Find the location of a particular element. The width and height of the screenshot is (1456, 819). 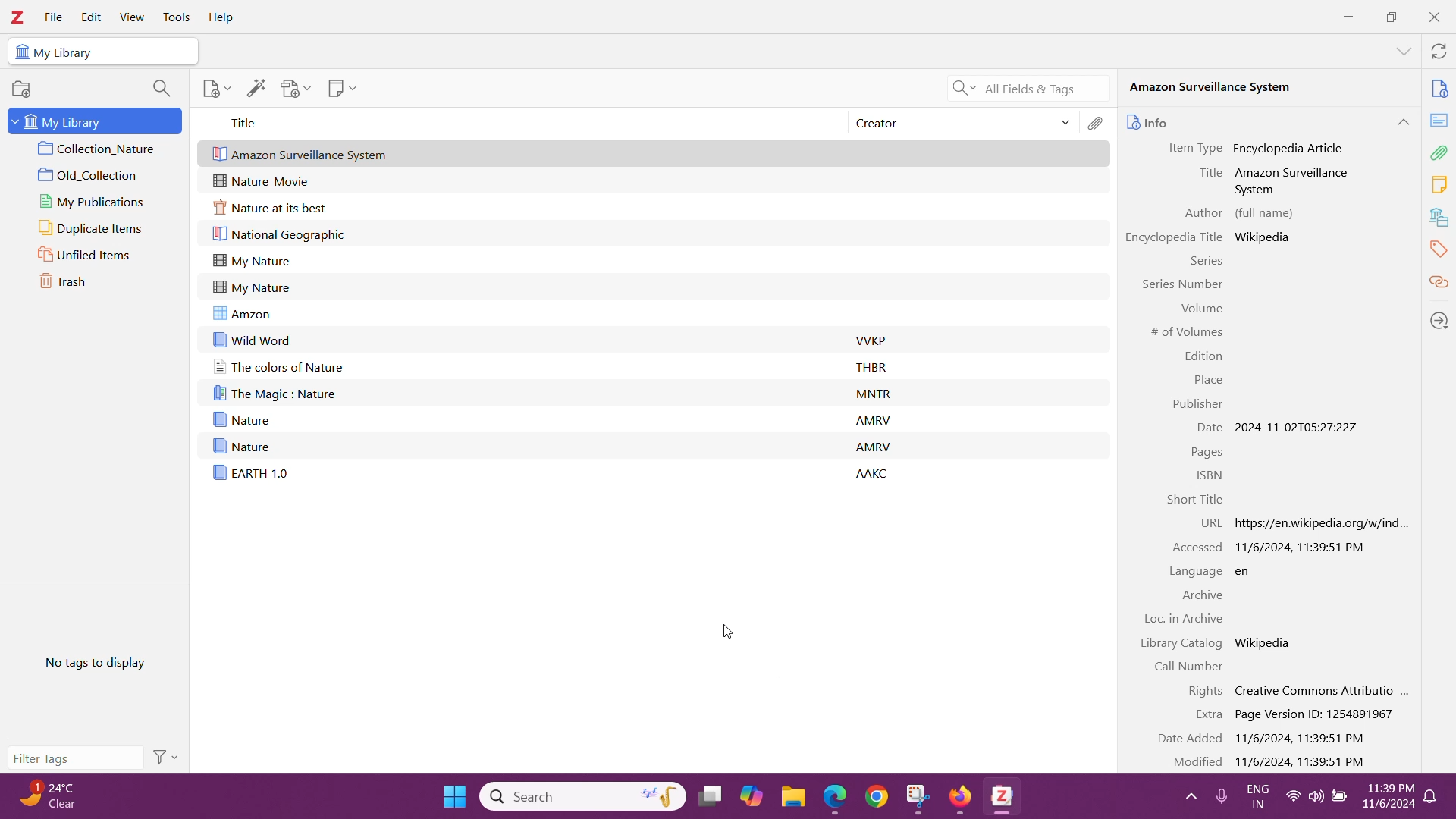

Place is located at coordinates (1206, 381).